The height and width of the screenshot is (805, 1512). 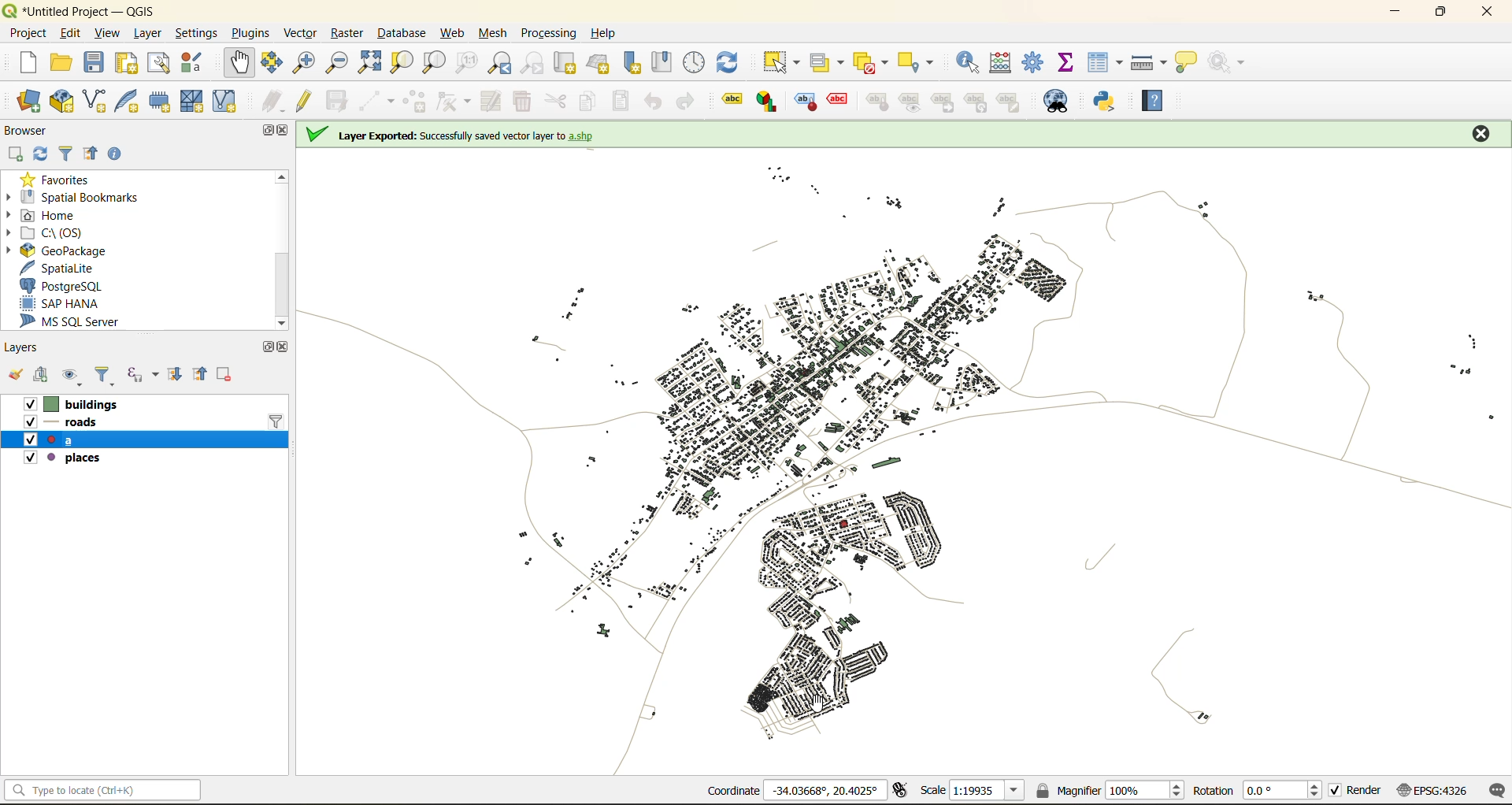 What do you see at coordinates (69, 153) in the screenshot?
I see `filter` at bounding box center [69, 153].